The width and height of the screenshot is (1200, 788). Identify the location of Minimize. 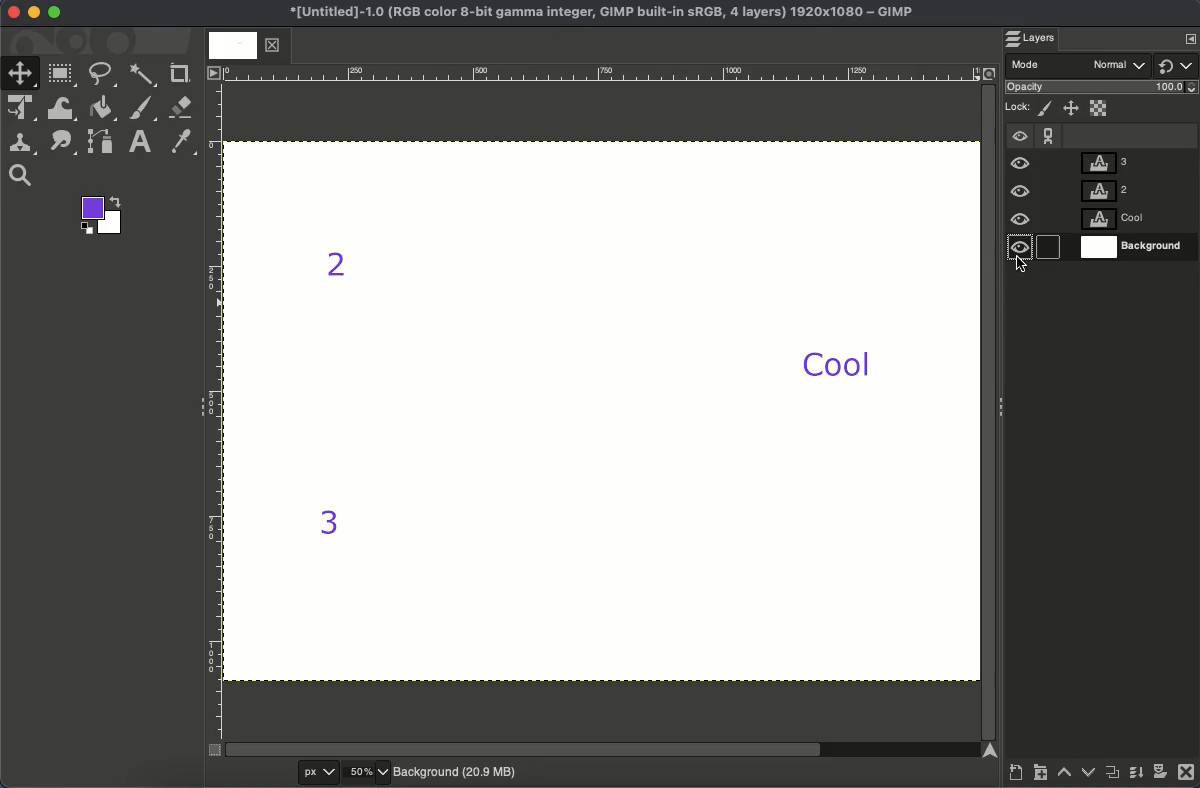
(34, 12).